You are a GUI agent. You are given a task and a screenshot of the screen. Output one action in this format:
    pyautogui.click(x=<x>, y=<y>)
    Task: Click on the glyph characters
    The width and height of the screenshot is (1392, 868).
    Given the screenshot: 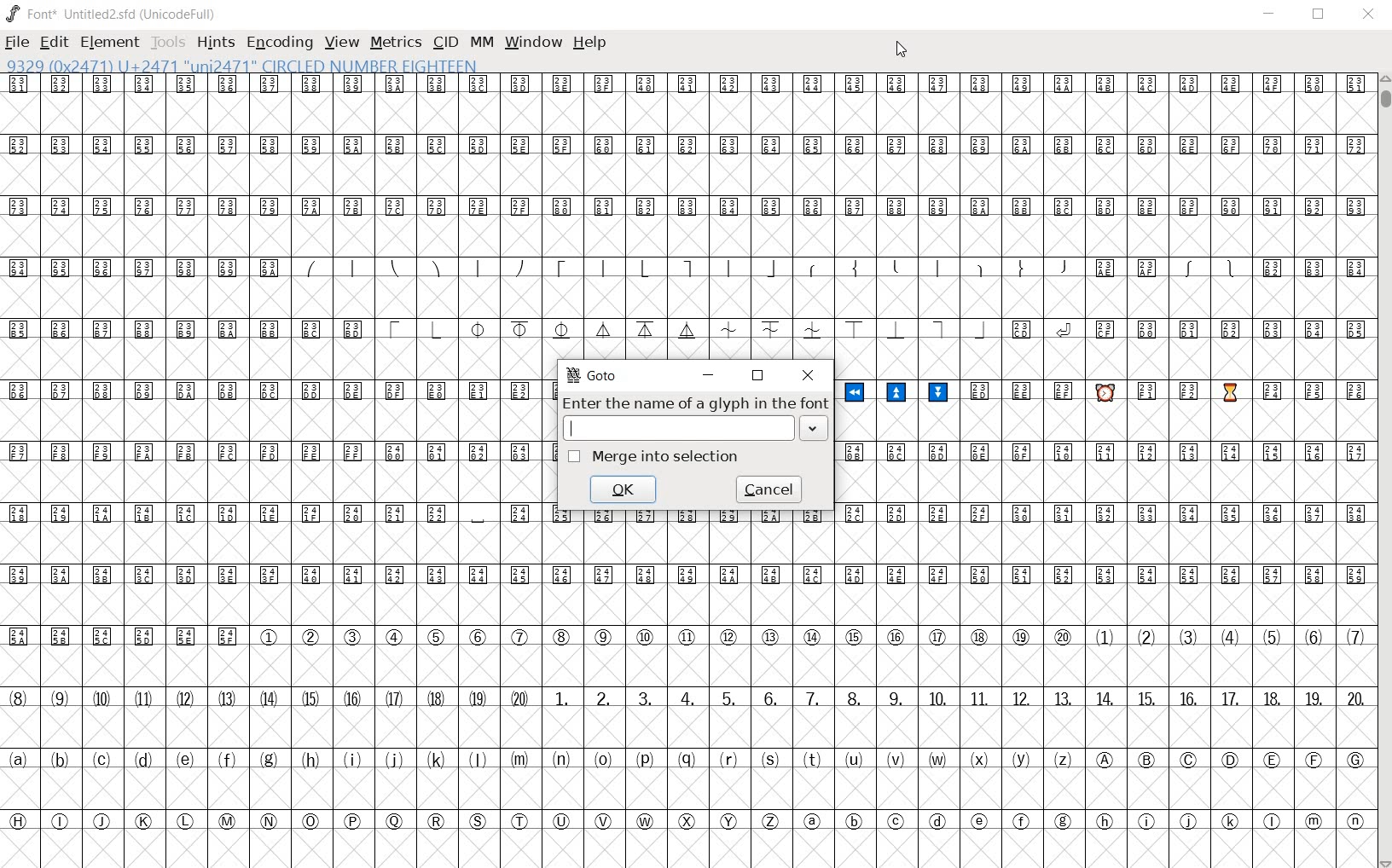 What is the action you would take?
    pyautogui.click(x=959, y=715)
    